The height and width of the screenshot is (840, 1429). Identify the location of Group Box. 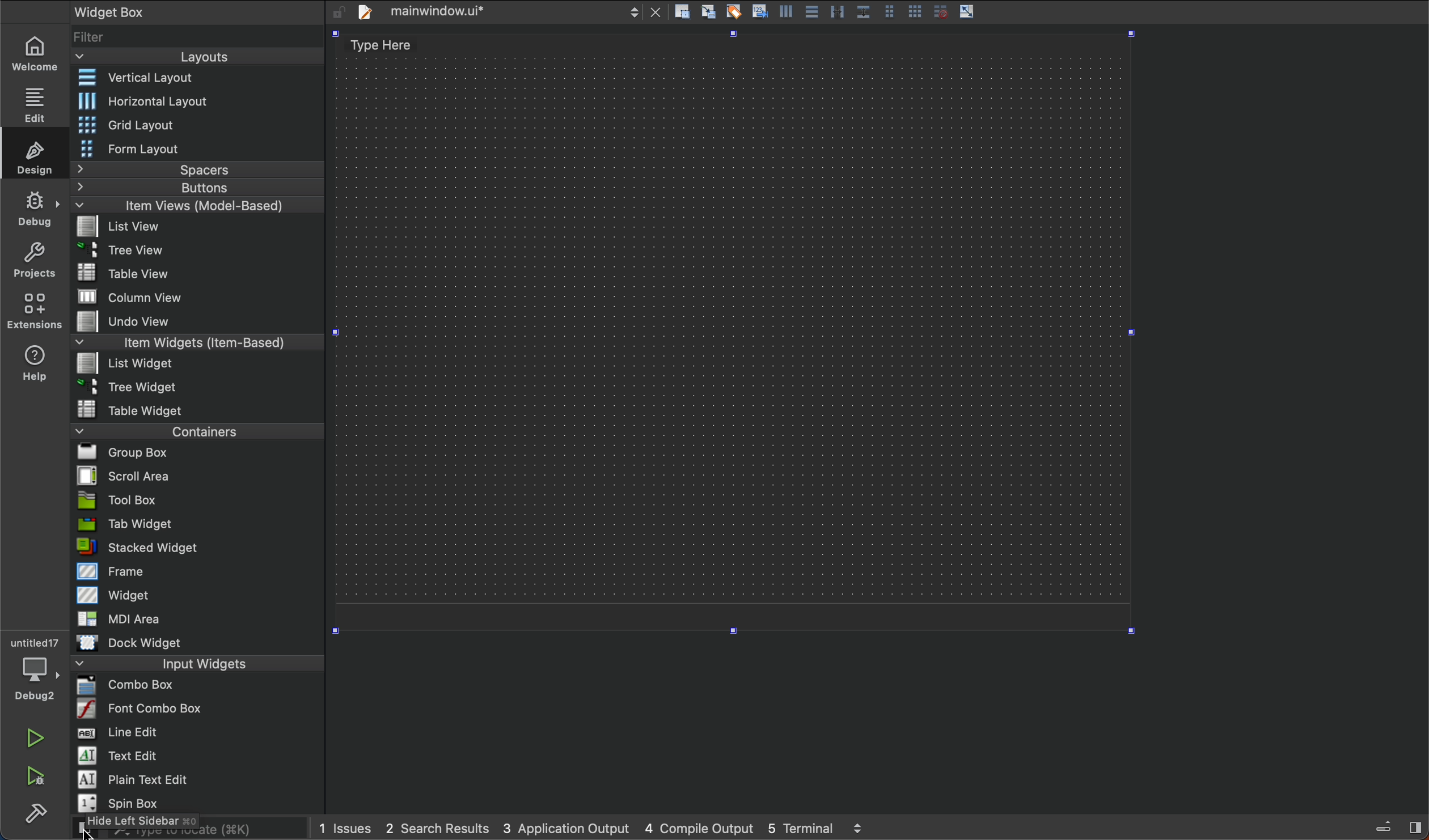
(123, 452).